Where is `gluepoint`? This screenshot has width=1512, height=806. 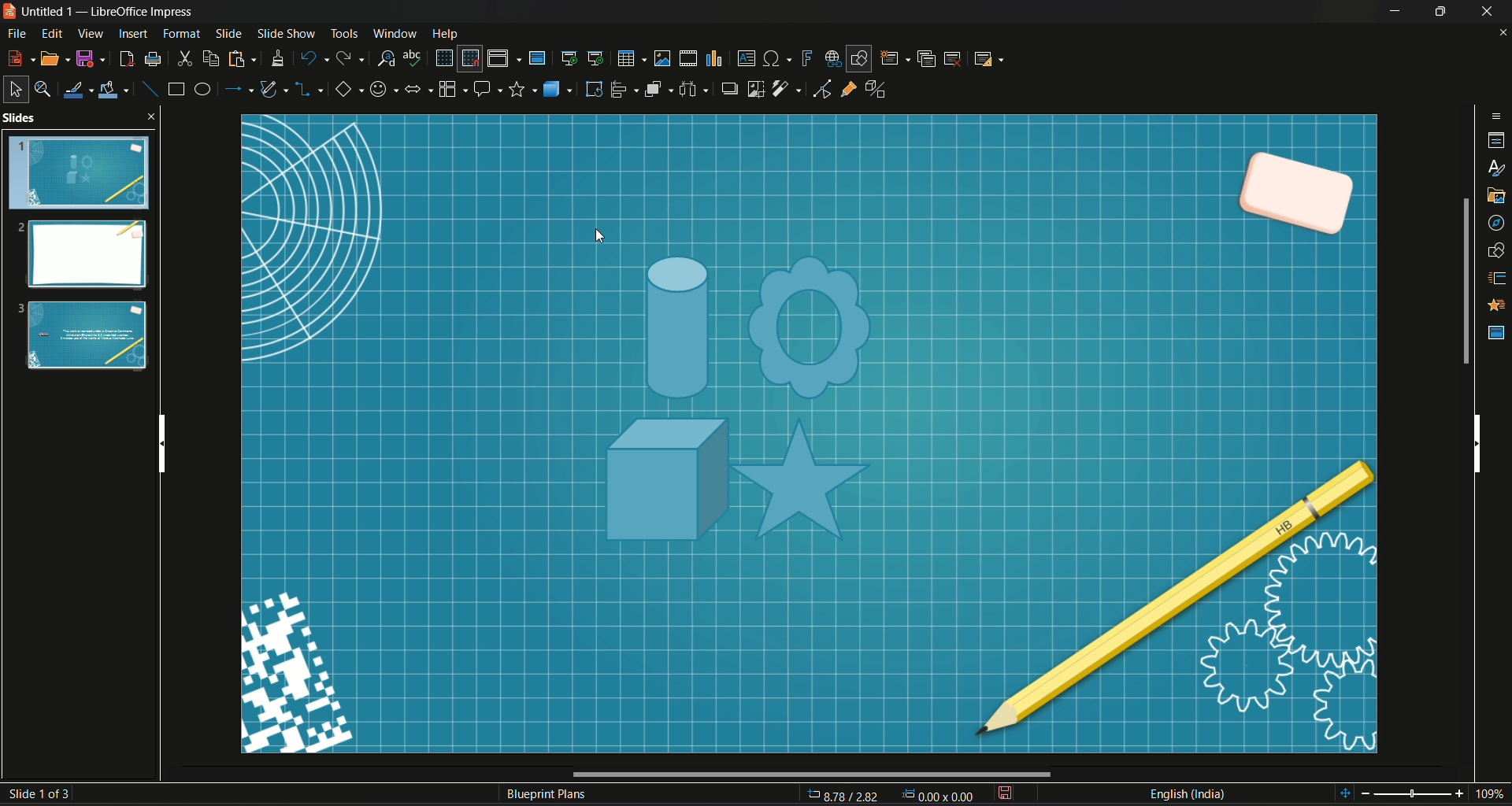
gluepoint is located at coordinates (848, 87).